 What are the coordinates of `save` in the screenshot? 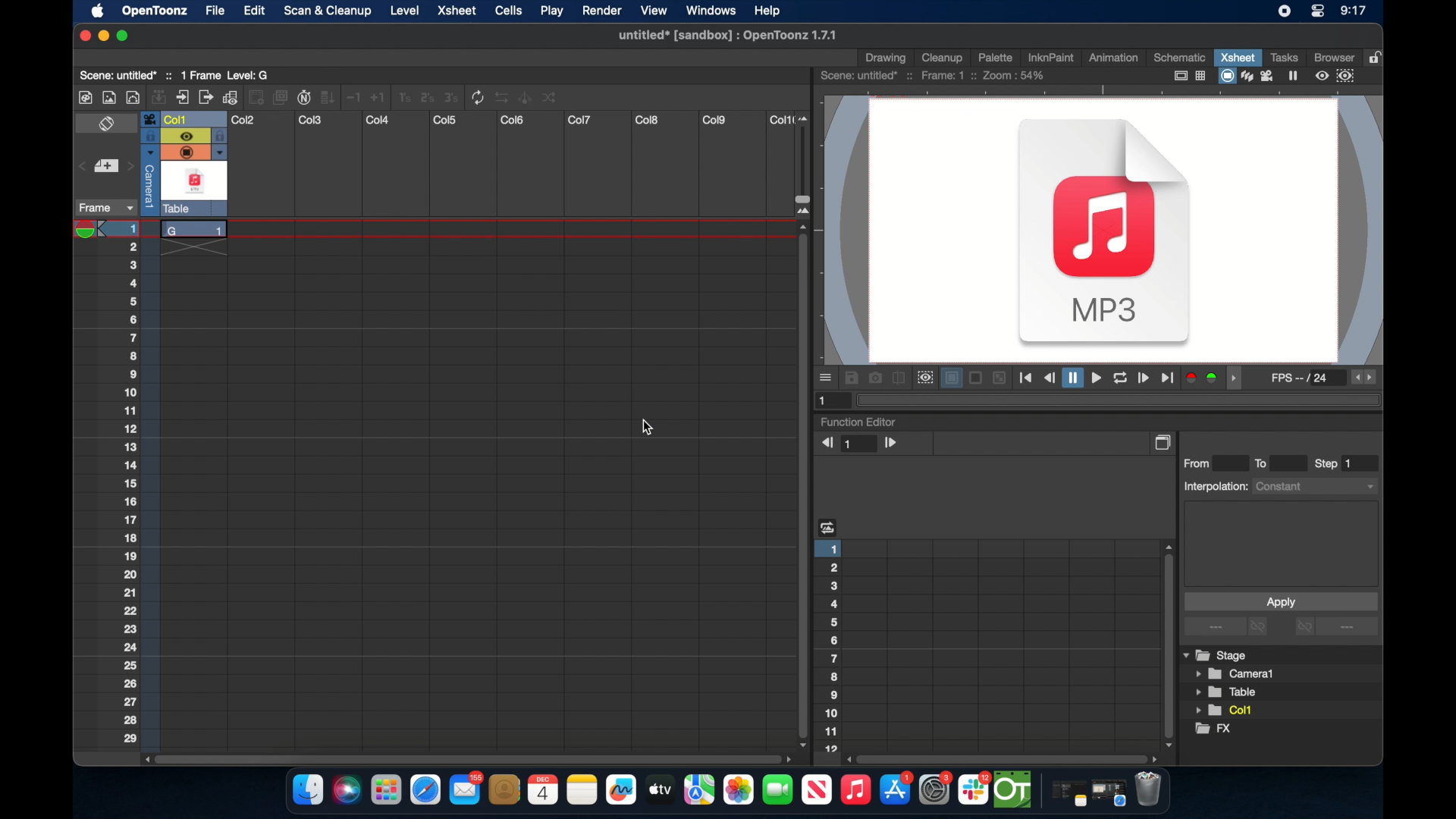 It's located at (852, 378).